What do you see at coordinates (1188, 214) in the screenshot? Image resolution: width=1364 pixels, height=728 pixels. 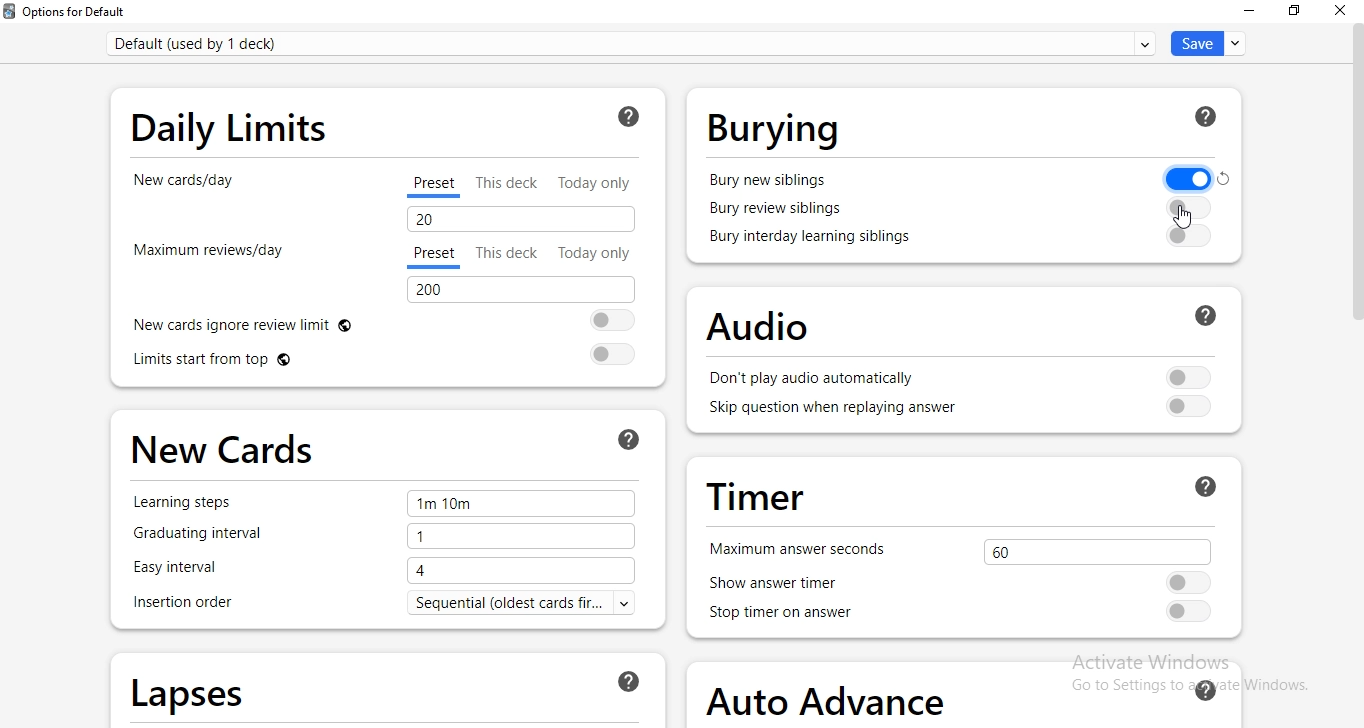 I see `cursor` at bounding box center [1188, 214].